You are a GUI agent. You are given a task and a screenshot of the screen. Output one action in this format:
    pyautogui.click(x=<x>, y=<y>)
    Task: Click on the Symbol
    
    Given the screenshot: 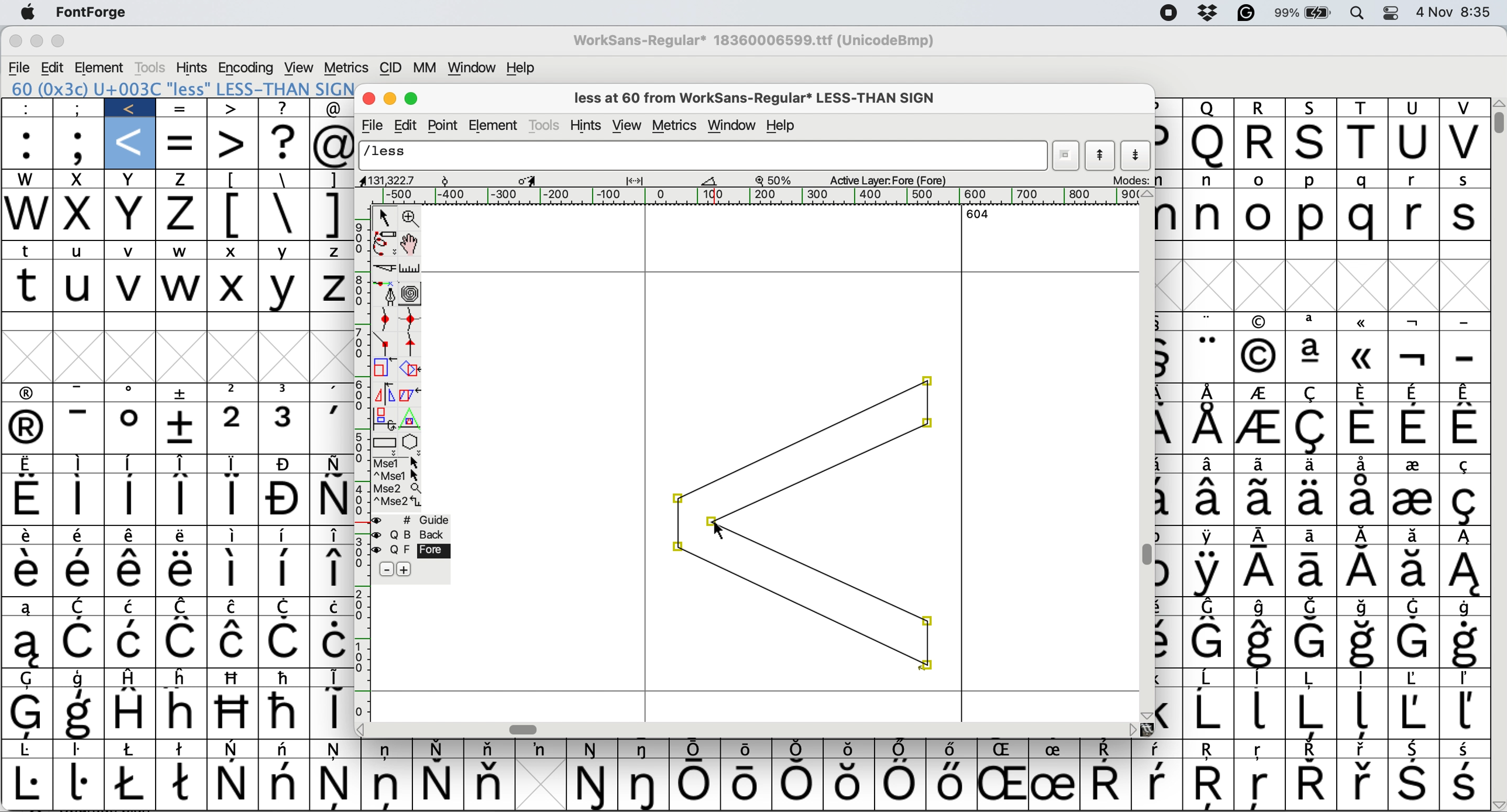 What is the action you would take?
    pyautogui.click(x=1262, y=608)
    